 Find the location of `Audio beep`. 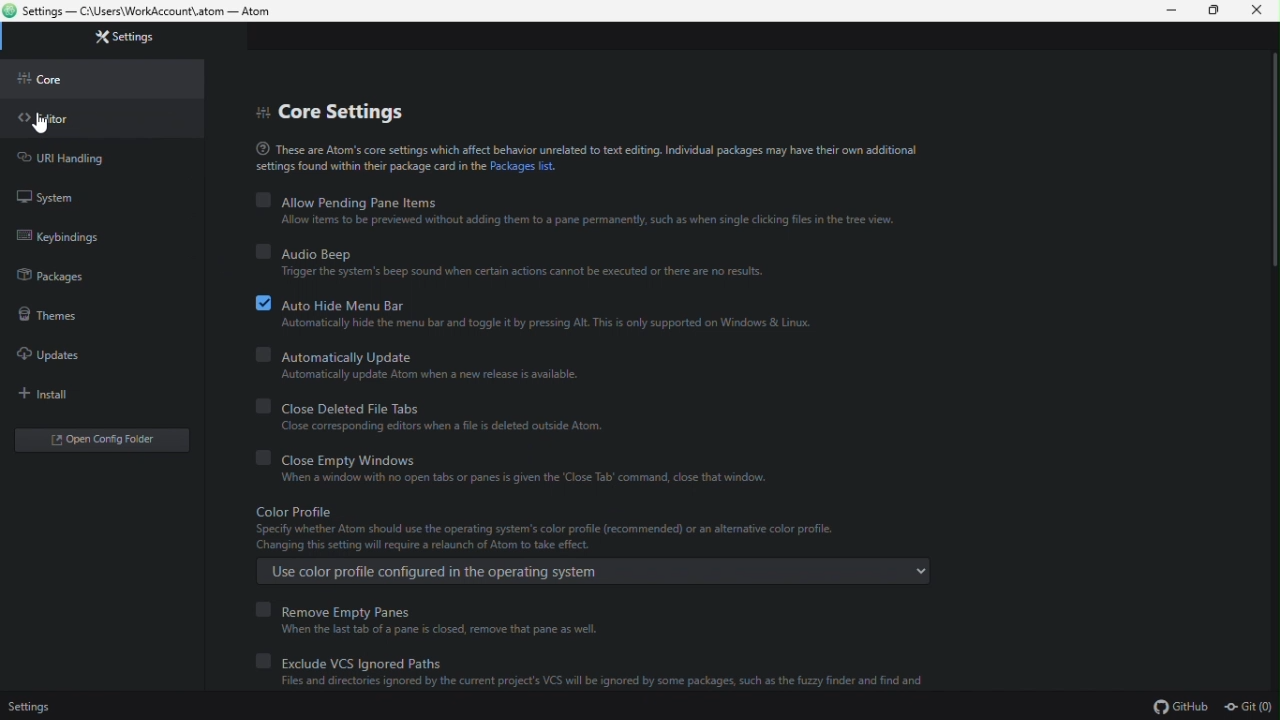

Audio beep is located at coordinates (527, 248).